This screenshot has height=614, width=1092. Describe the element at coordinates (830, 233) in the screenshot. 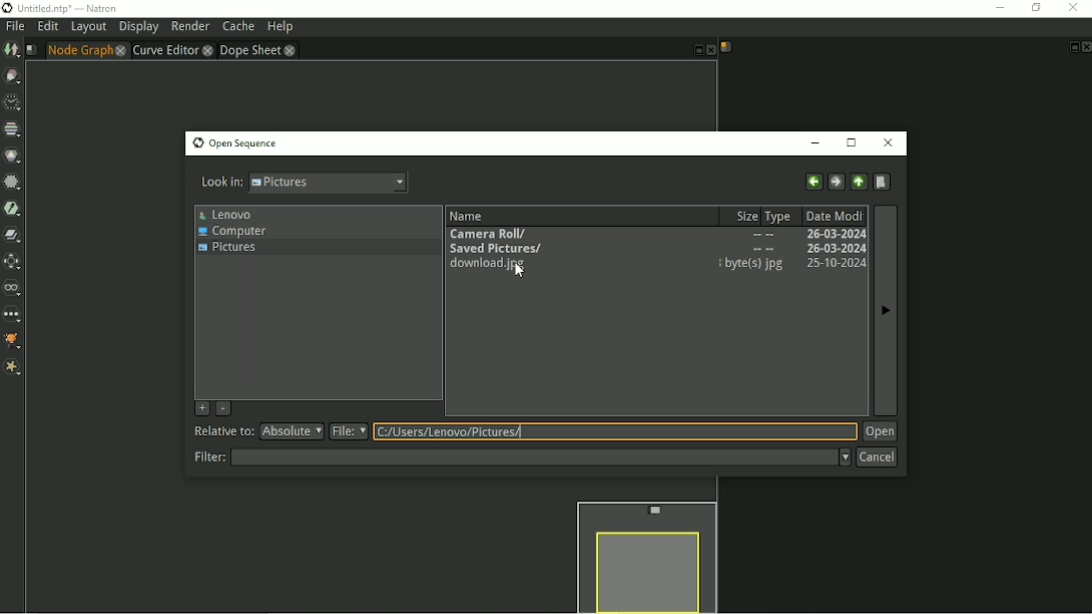

I see `26-03-2024` at that location.